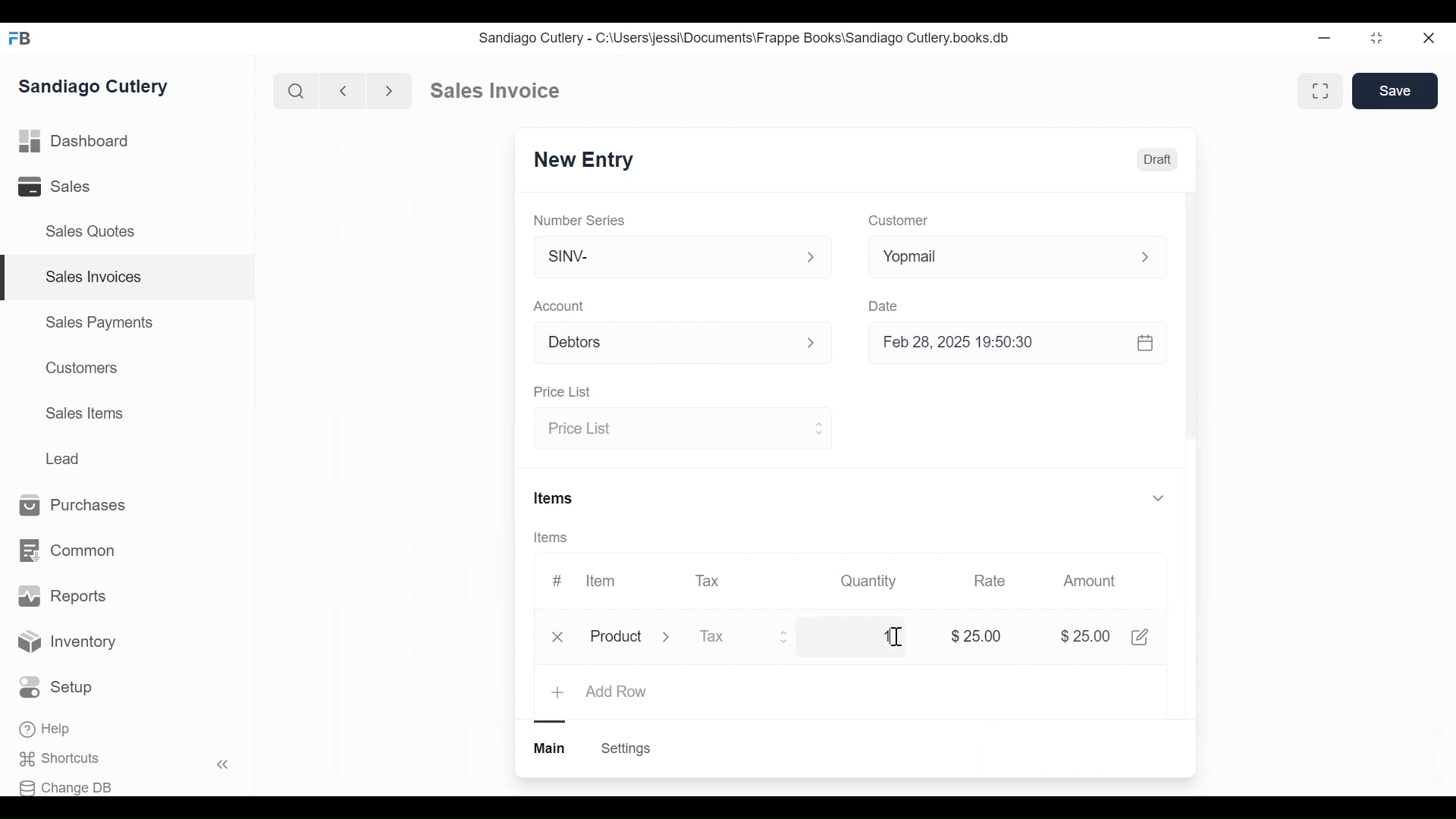 The image size is (1456, 819). Describe the element at coordinates (680, 430) in the screenshot. I see `Price List` at that location.